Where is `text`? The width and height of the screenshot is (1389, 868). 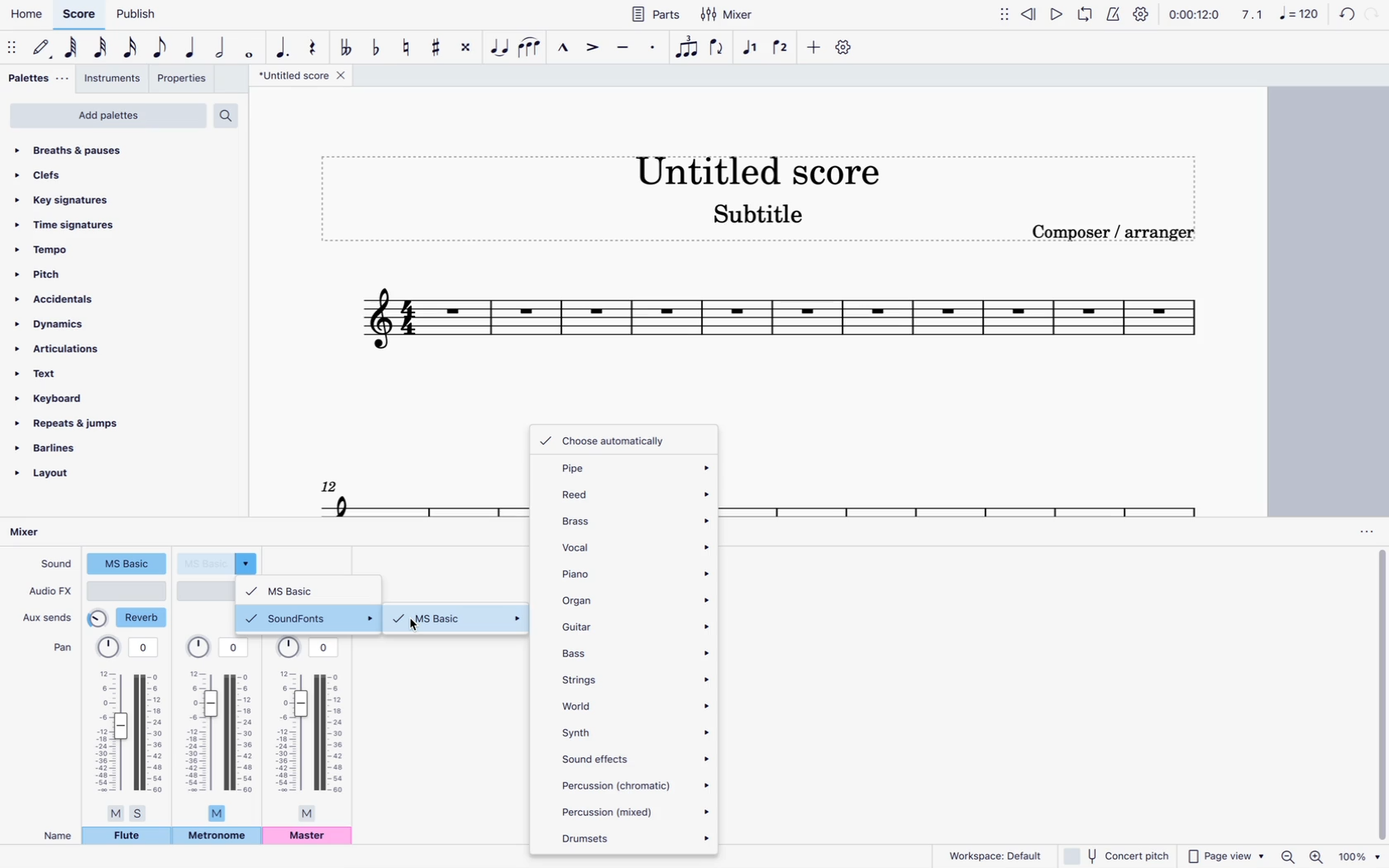
text is located at coordinates (87, 374).